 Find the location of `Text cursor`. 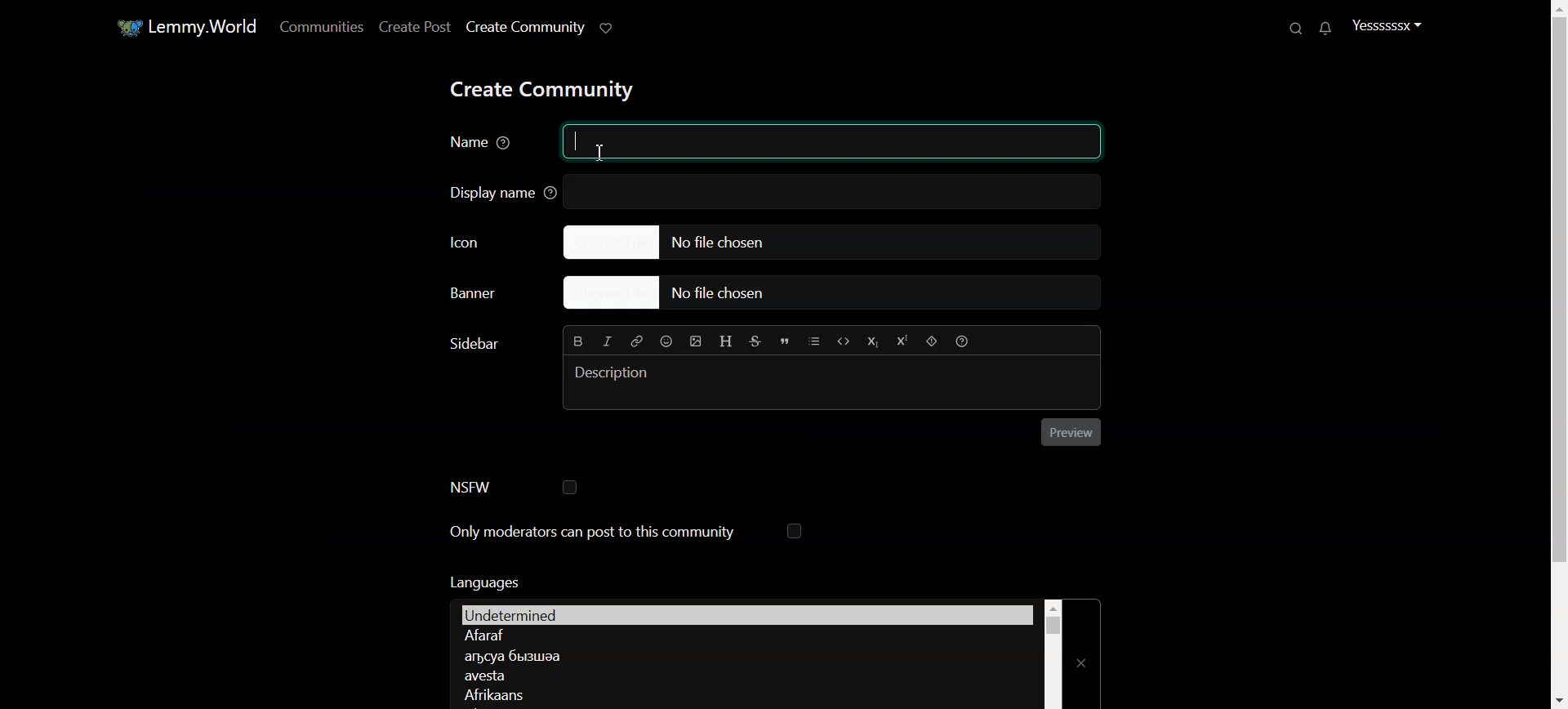

Text cursor is located at coordinates (600, 154).